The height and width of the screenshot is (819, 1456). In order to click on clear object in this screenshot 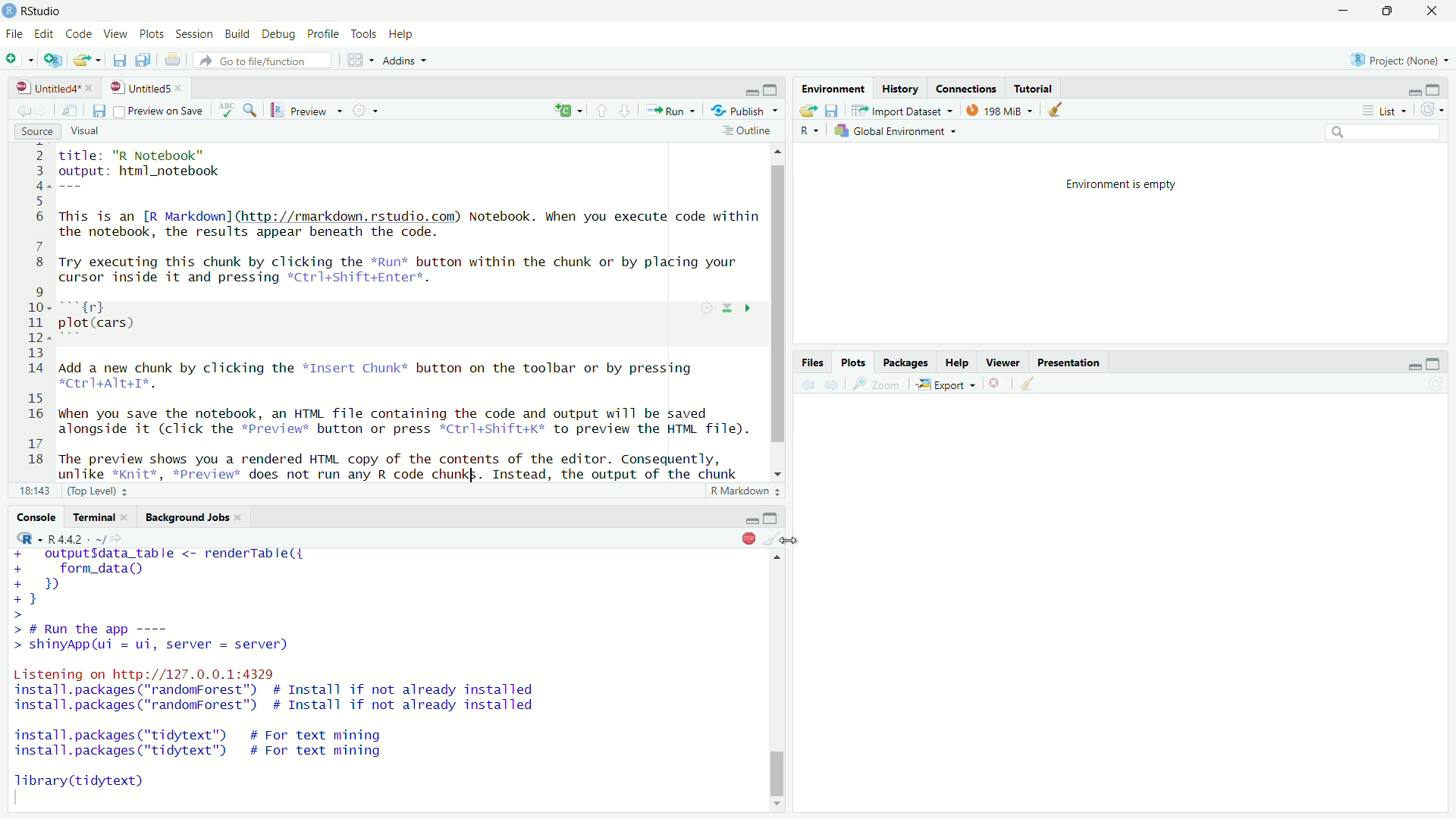, I will do `click(1032, 384)`.